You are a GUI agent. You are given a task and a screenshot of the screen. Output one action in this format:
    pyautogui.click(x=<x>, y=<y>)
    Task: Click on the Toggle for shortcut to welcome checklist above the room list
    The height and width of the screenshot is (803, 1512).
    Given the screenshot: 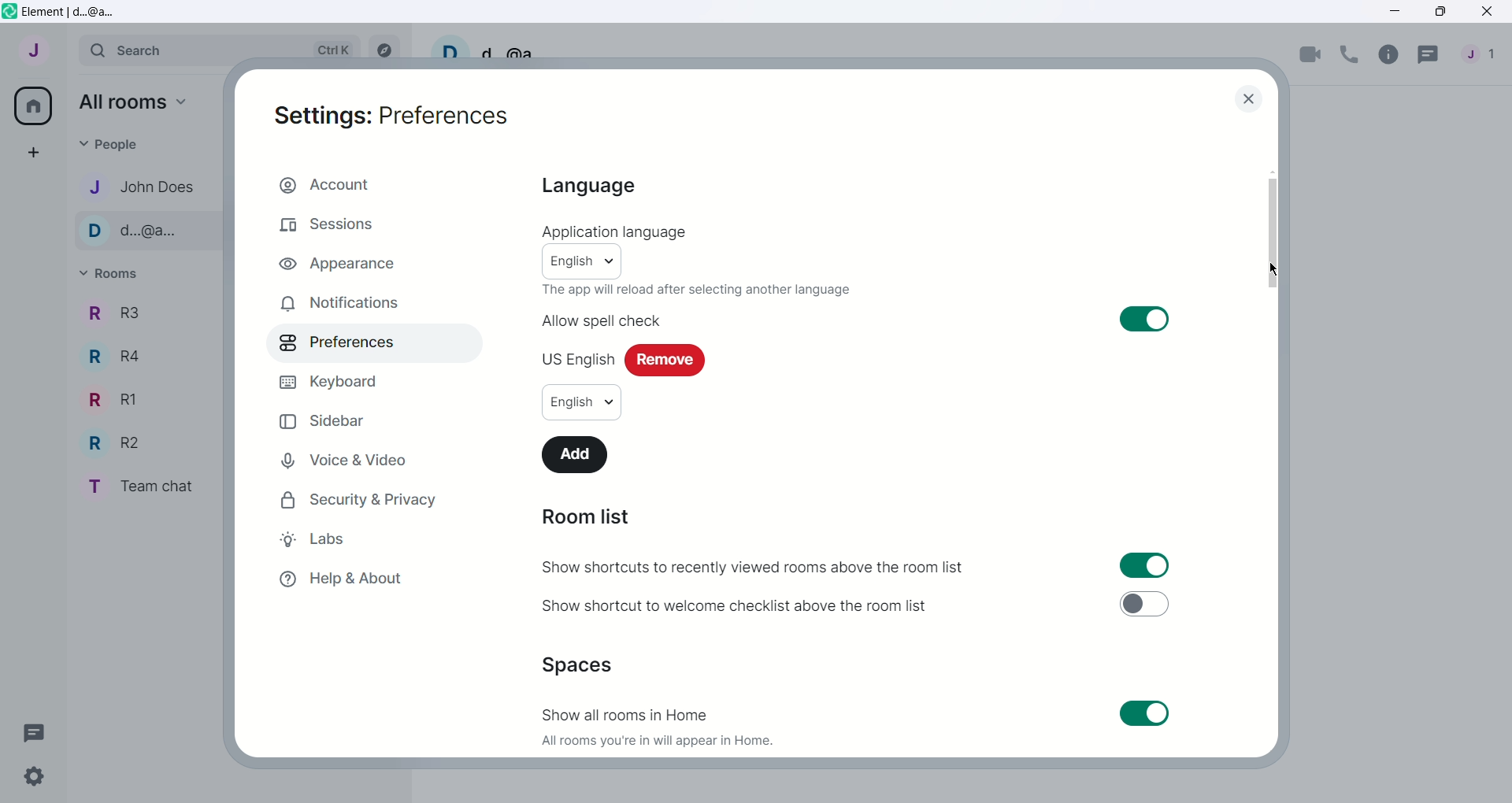 What is the action you would take?
    pyautogui.click(x=1143, y=604)
    